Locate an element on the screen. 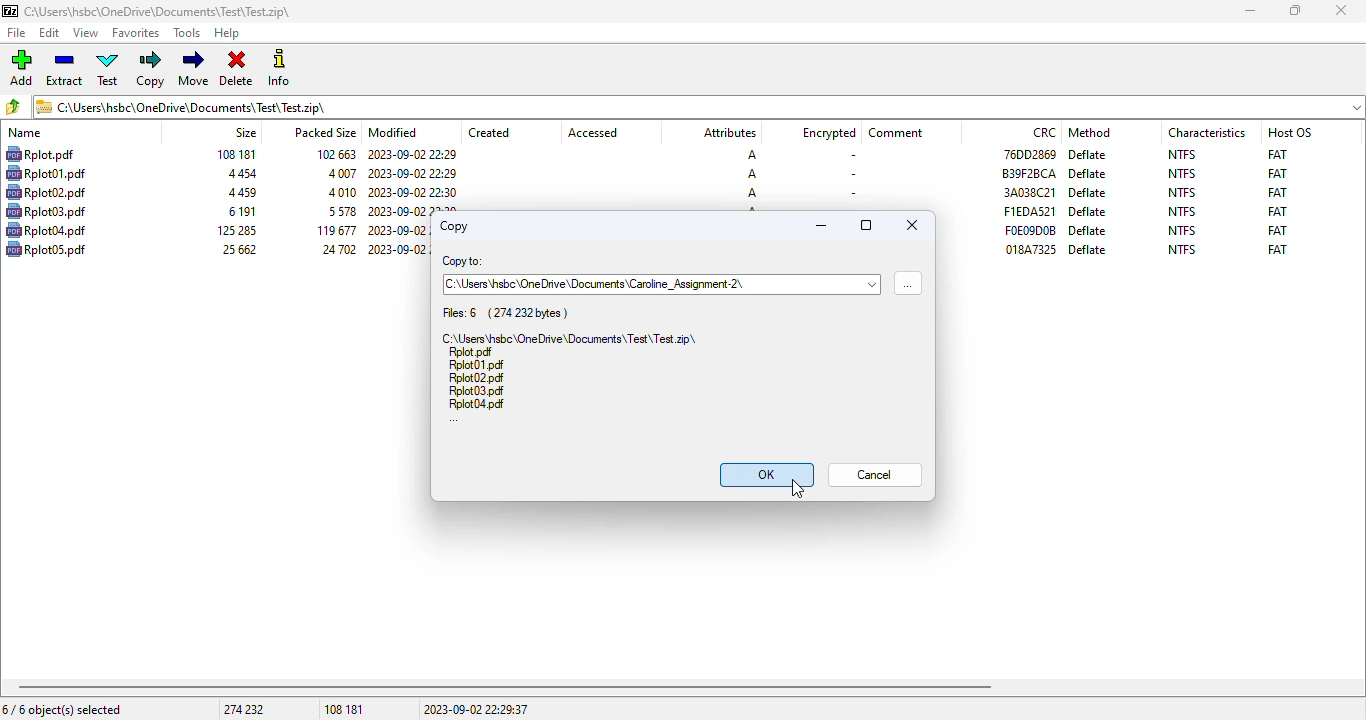  size is located at coordinates (235, 154).